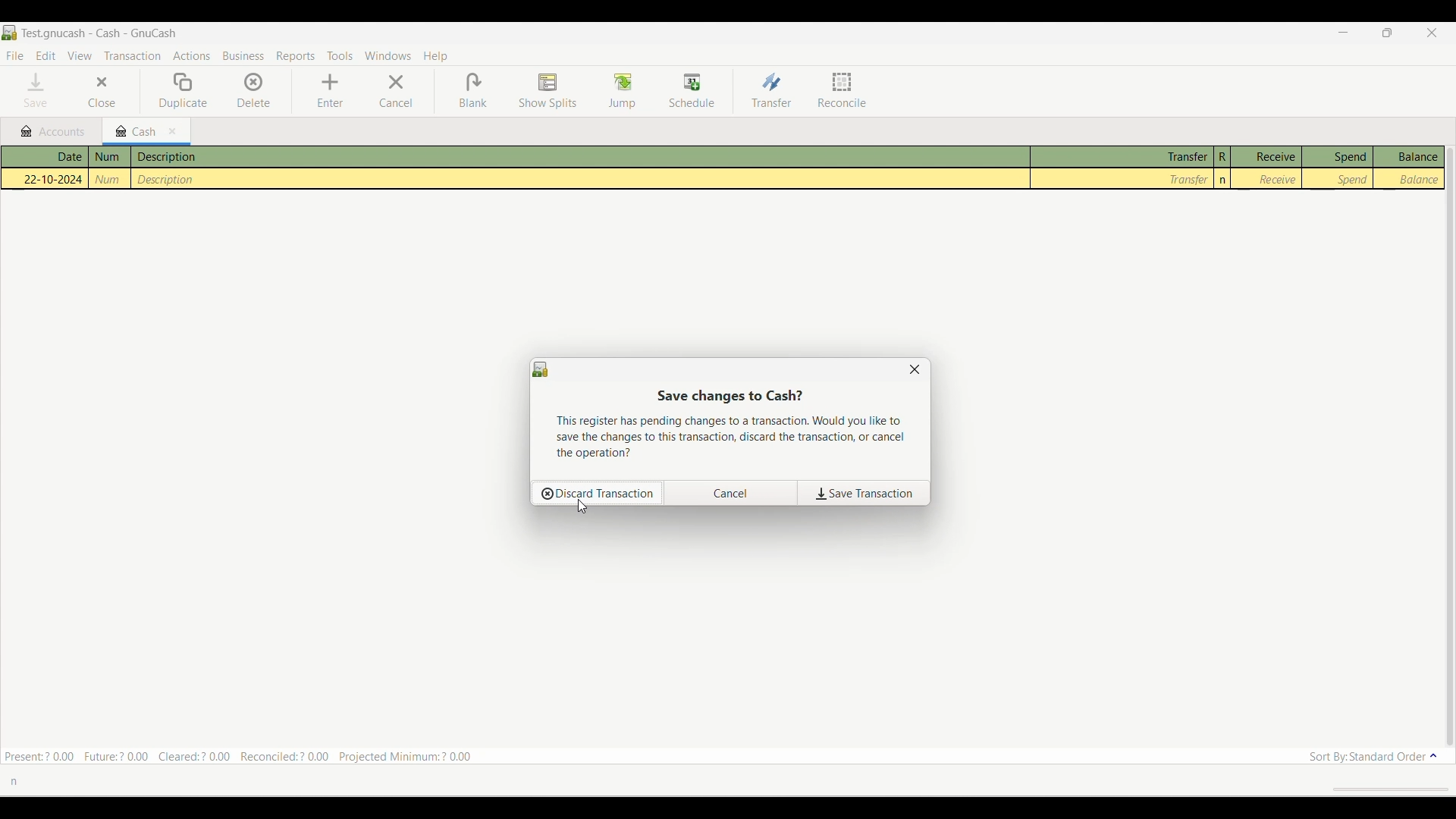 This screenshot has height=819, width=1456. Describe the element at coordinates (730, 395) in the screenshot. I see `Save changes to Cash?` at that location.